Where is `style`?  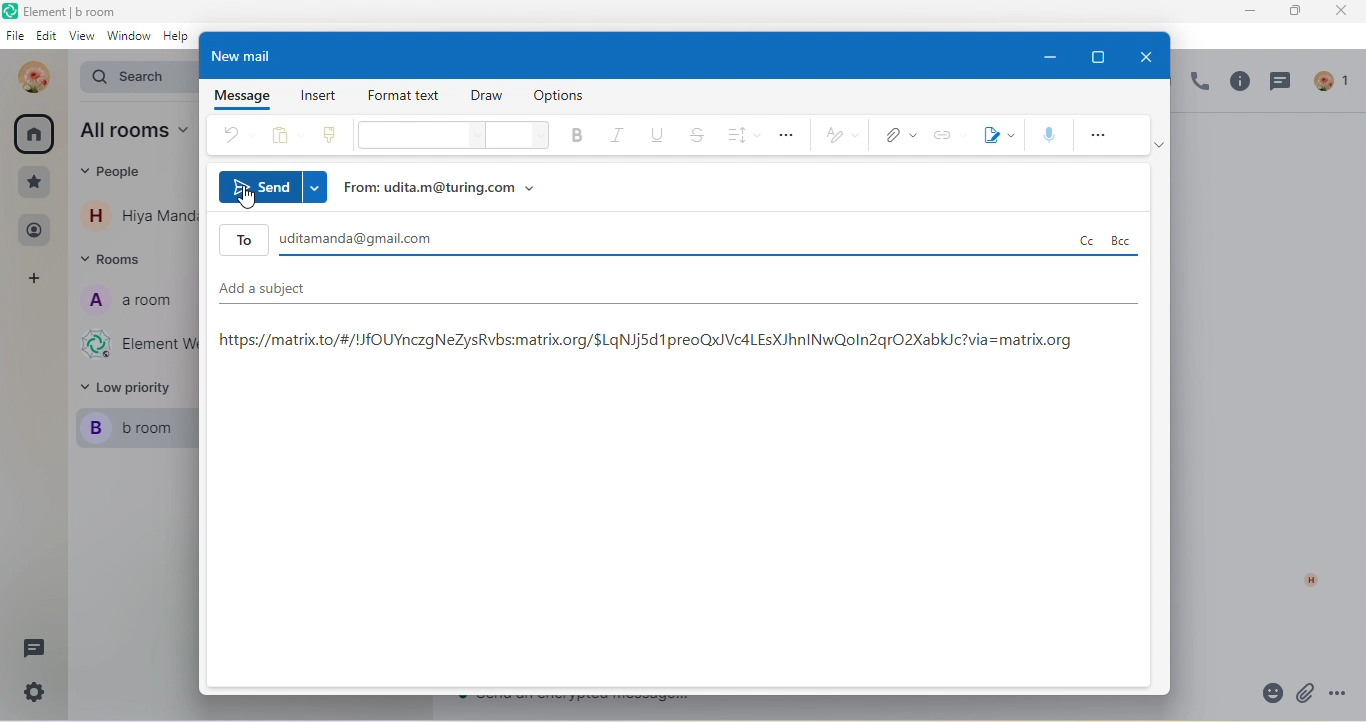
style is located at coordinates (840, 137).